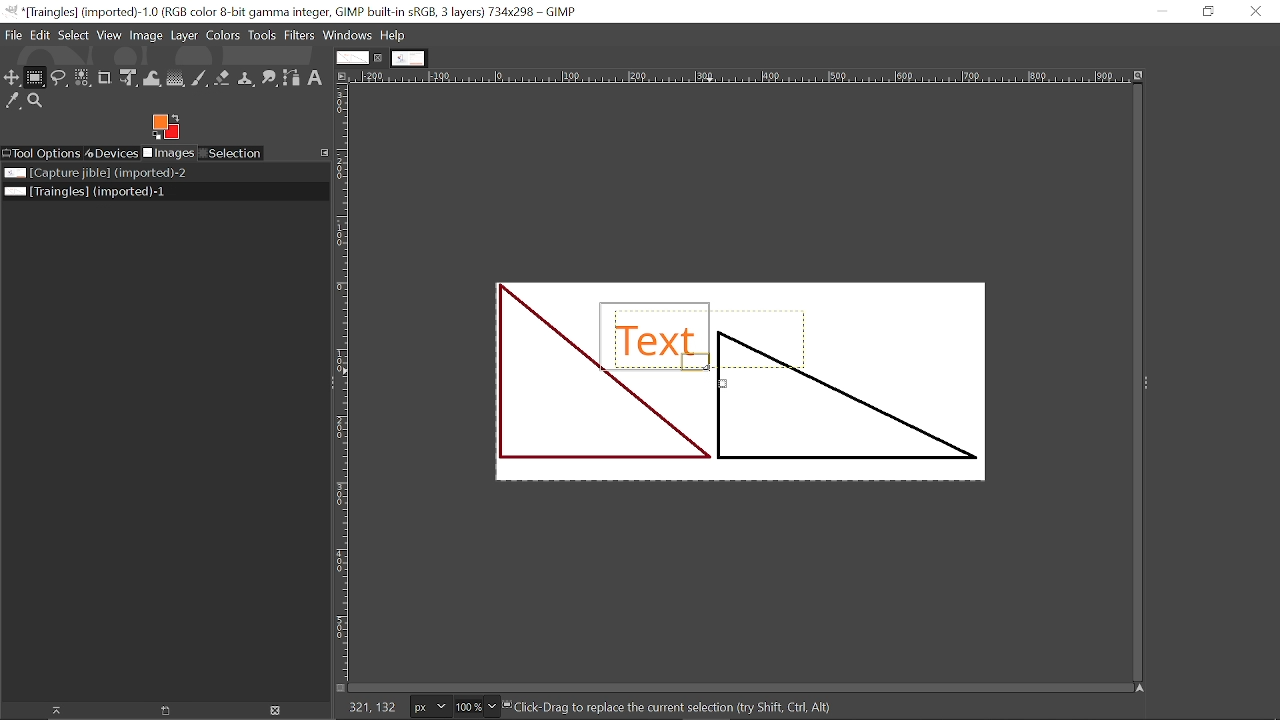 This screenshot has height=720, width=1280. Describe the element at coordinates (1145, 380) in the screenshot. I see `expand` at that location.